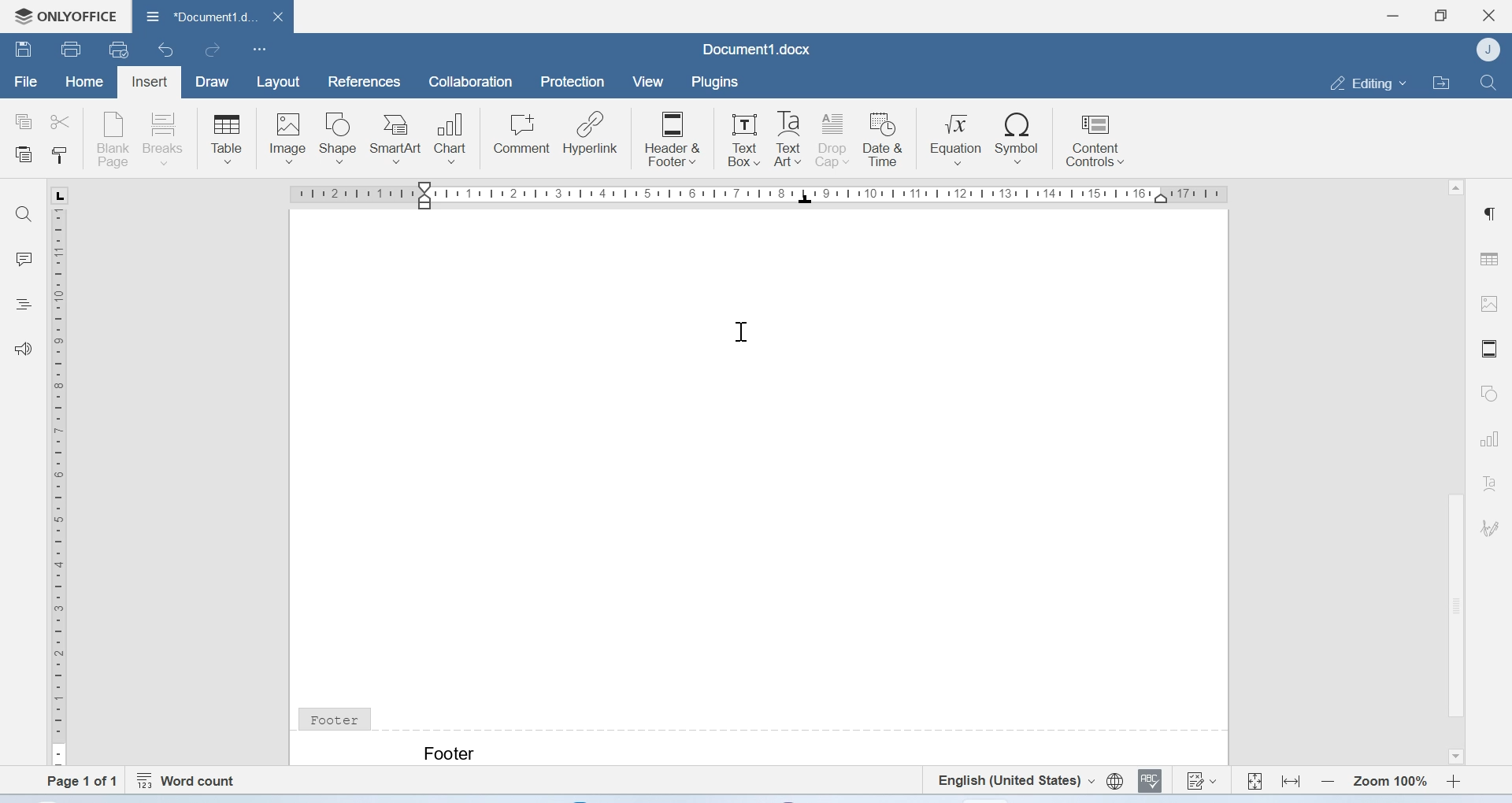 This screenshot has height=803, width=1512. Describe the element at coordinates (216, 81) in the screenshot. I see `Draw` at that location.